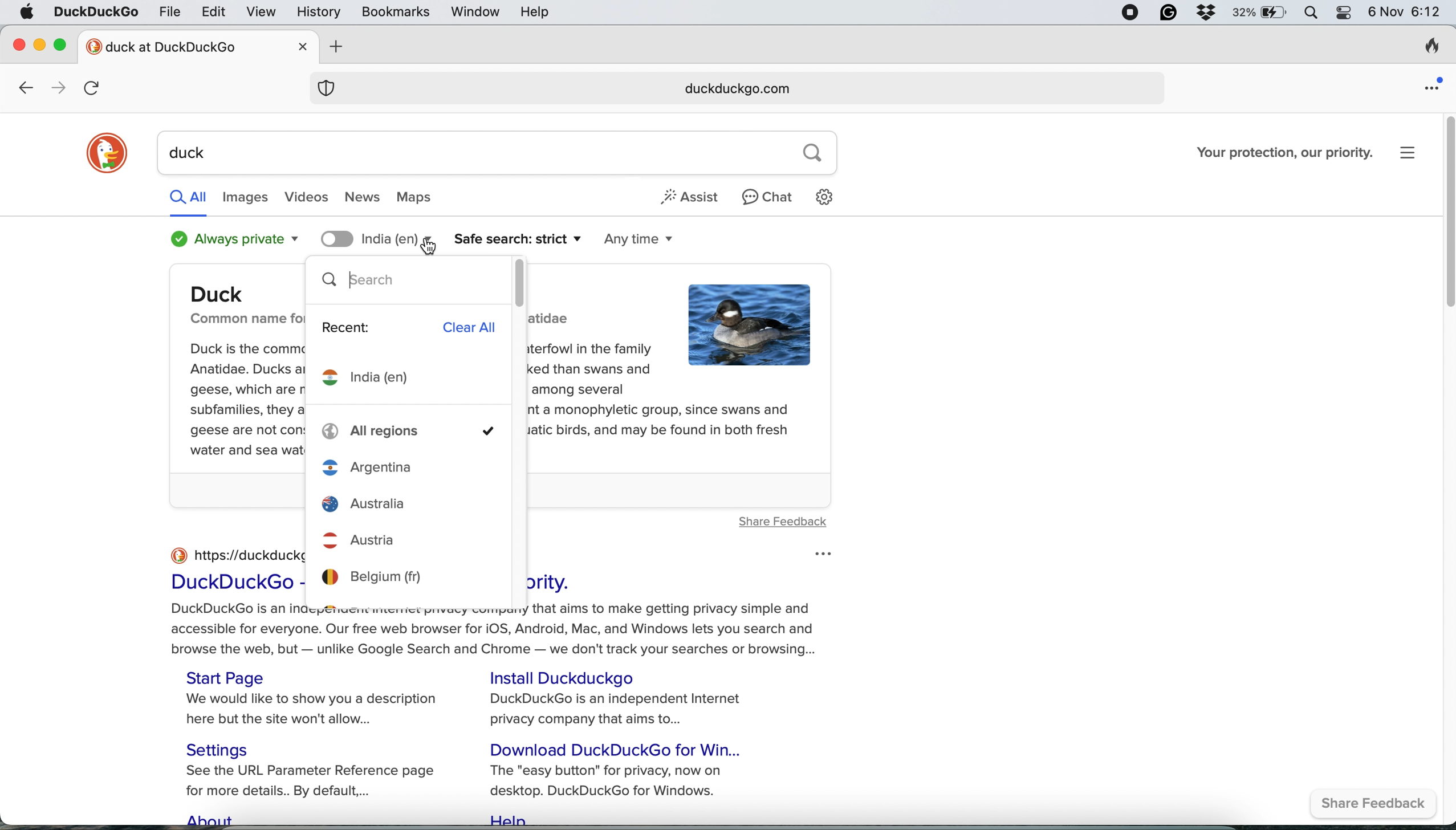  I want to click on always private, so click(229, 239).